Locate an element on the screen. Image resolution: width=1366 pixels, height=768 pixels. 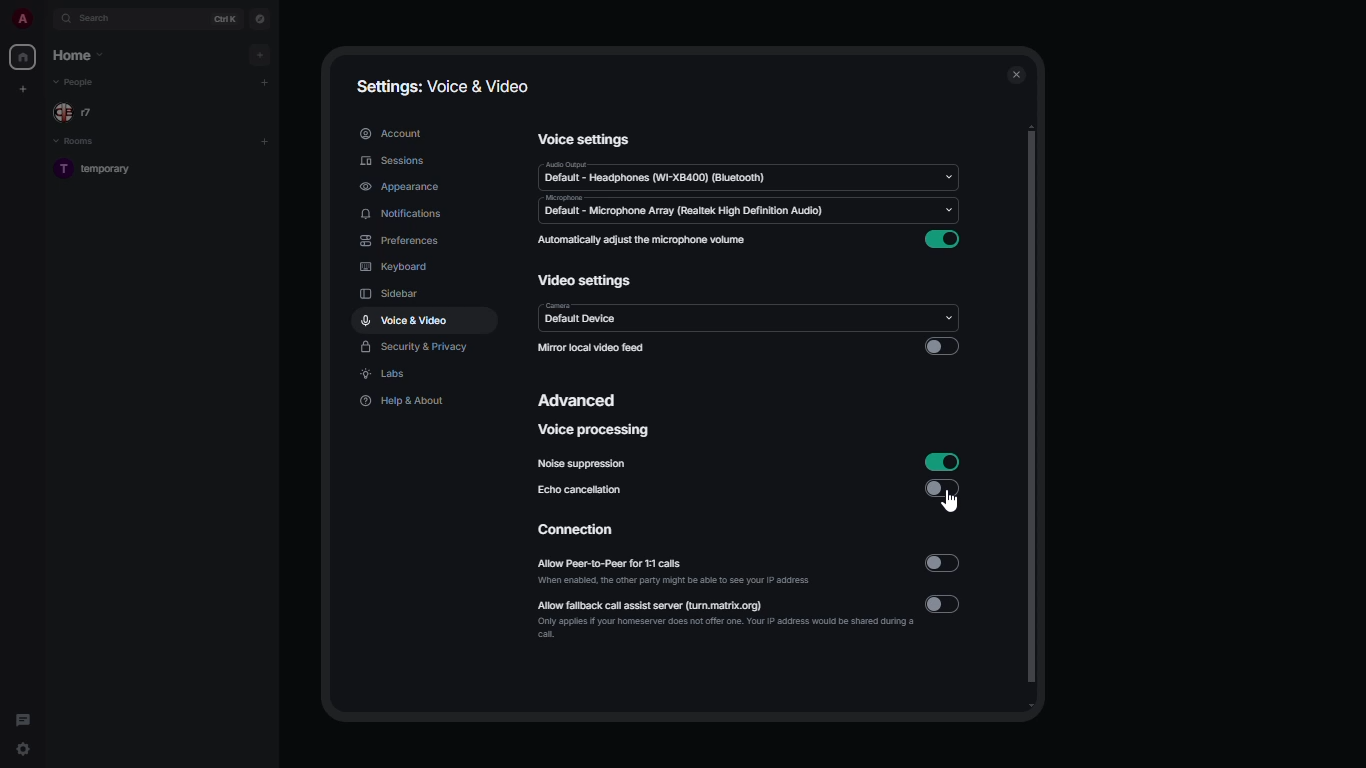
camera default is located at coordinates (580, 315).